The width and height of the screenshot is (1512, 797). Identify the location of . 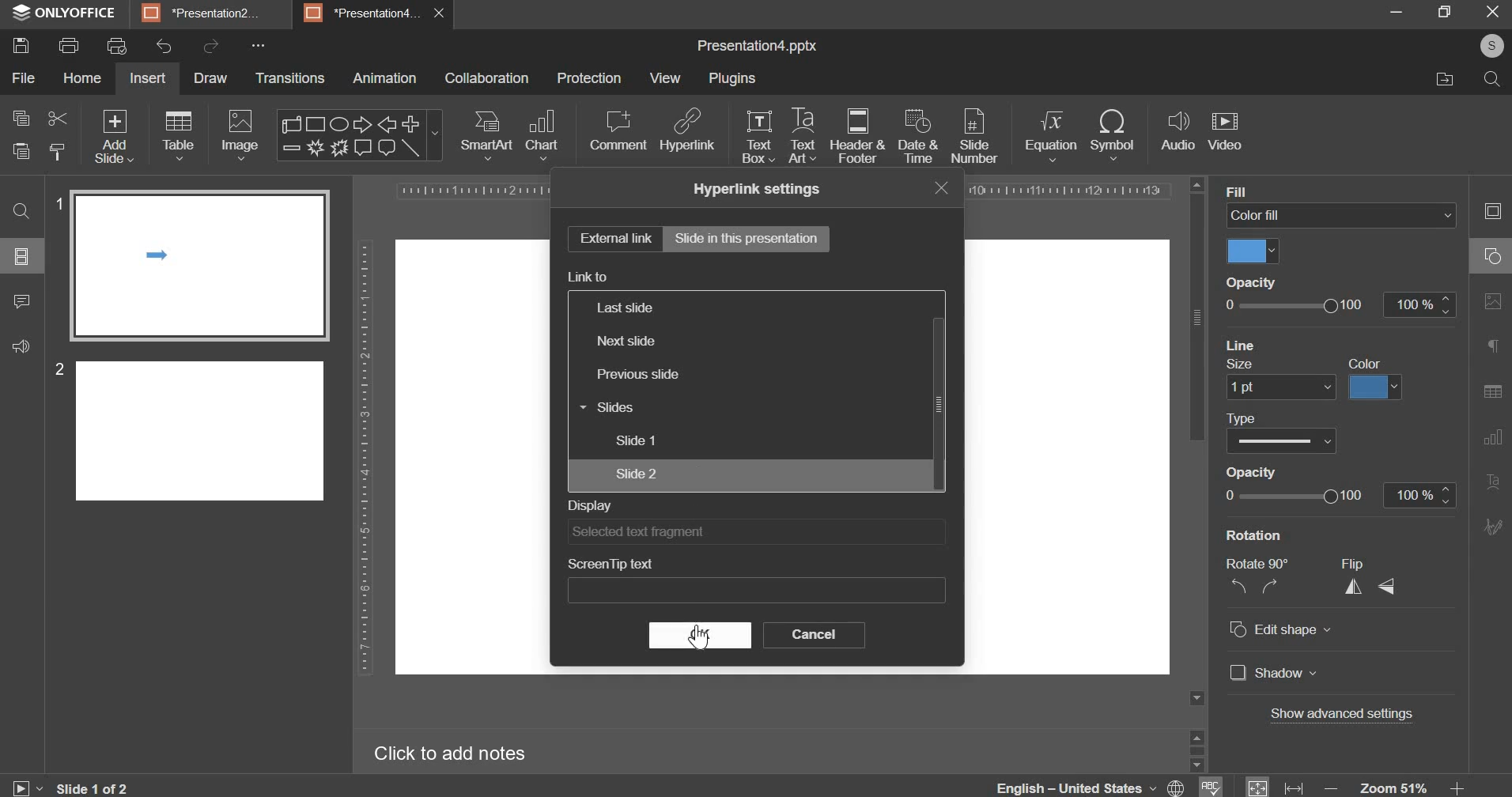
(1272, 387).